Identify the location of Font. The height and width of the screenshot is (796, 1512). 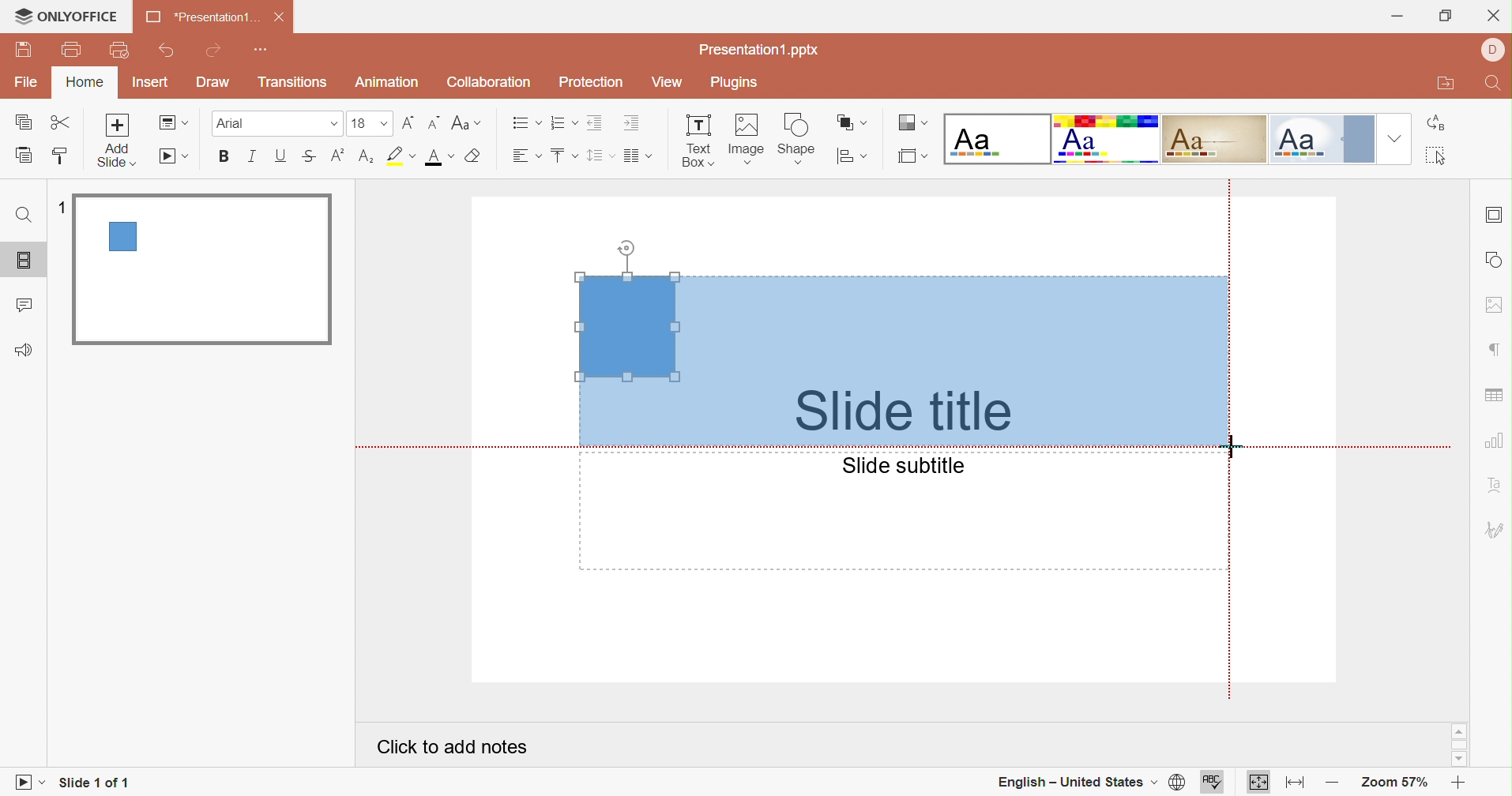
(276, 123).